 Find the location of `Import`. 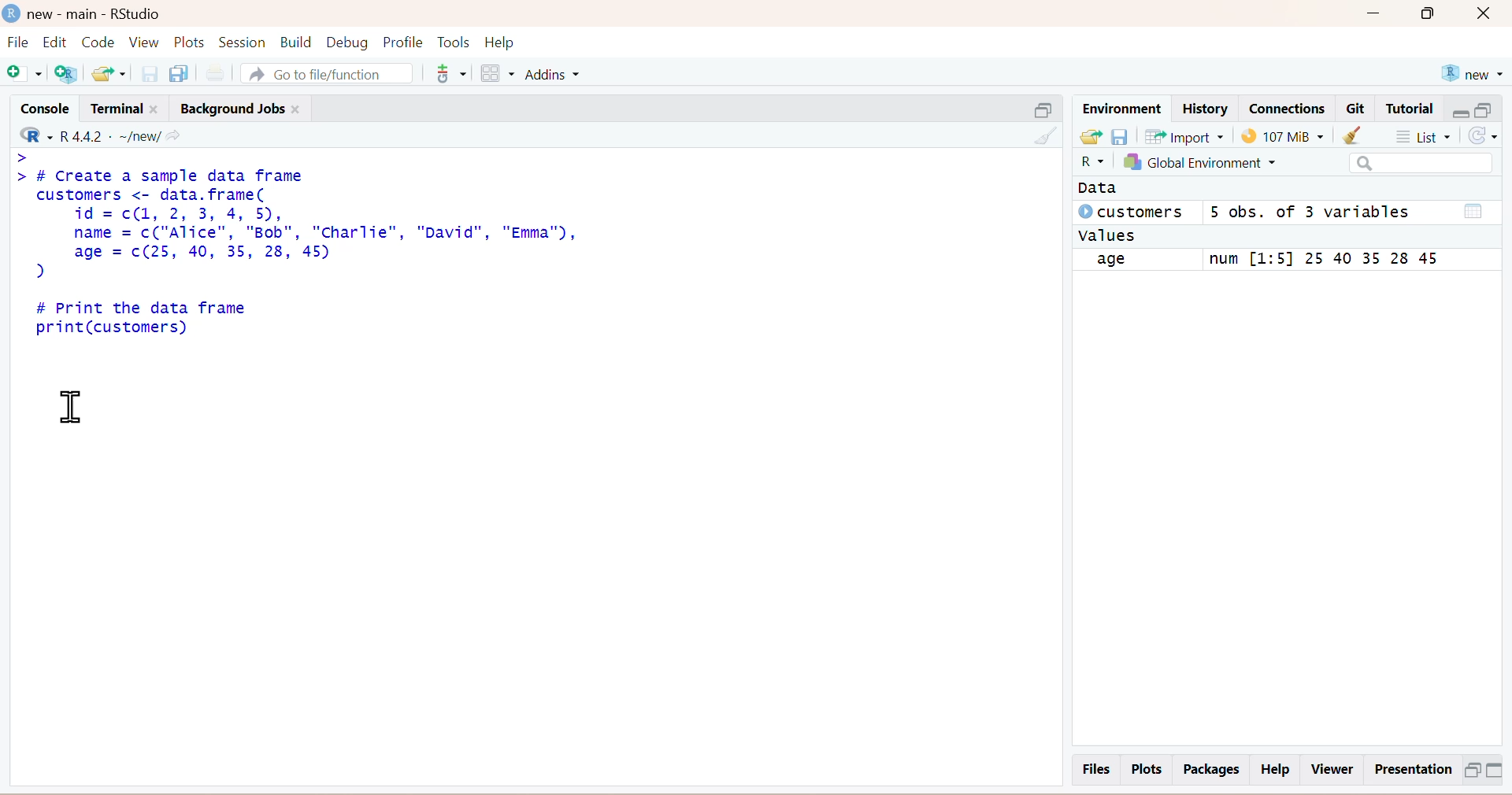

Import is located at coordinates (1188, 137).